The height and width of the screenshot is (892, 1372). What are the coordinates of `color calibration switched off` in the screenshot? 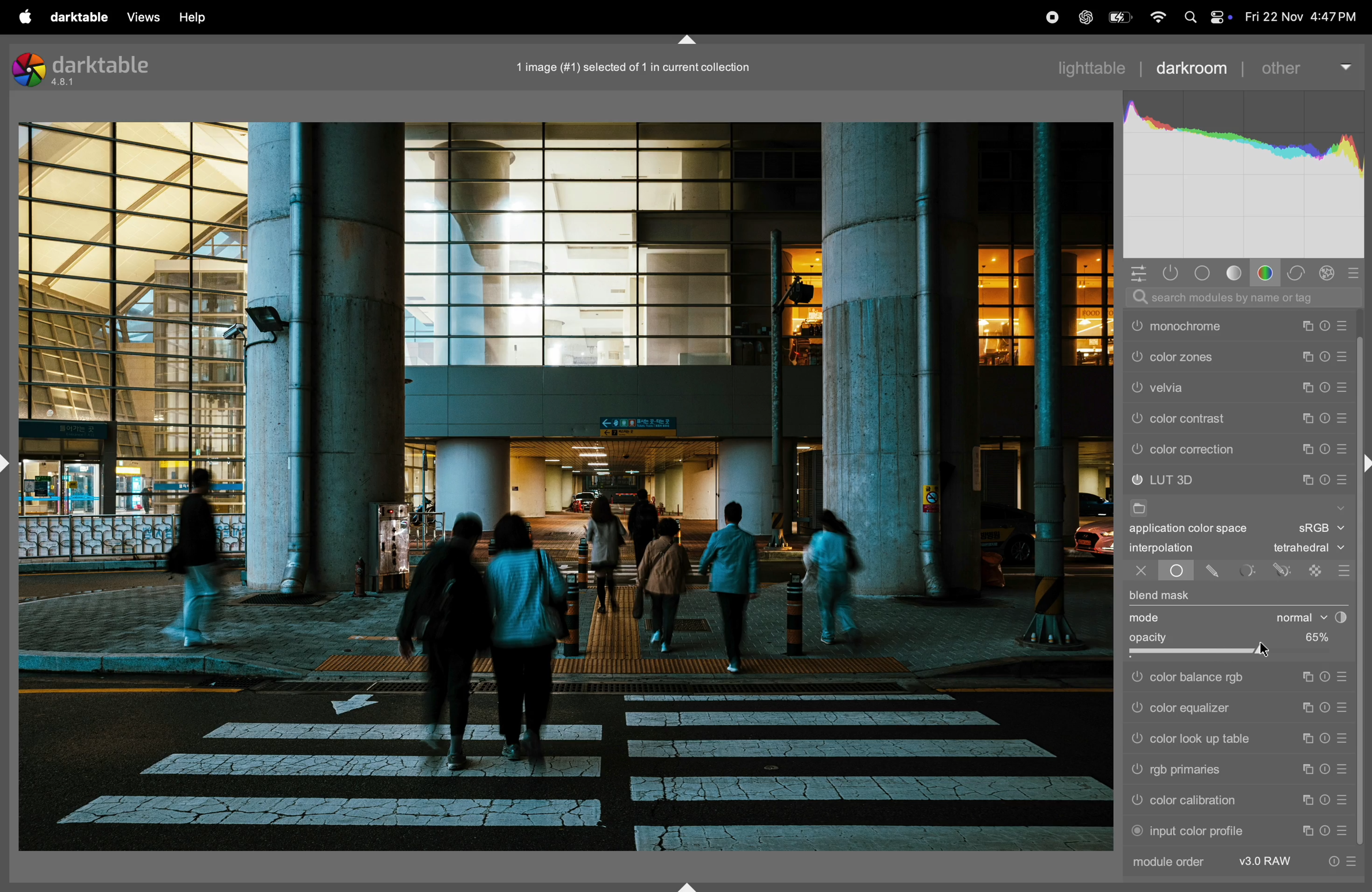 It's located at (1139, 802).